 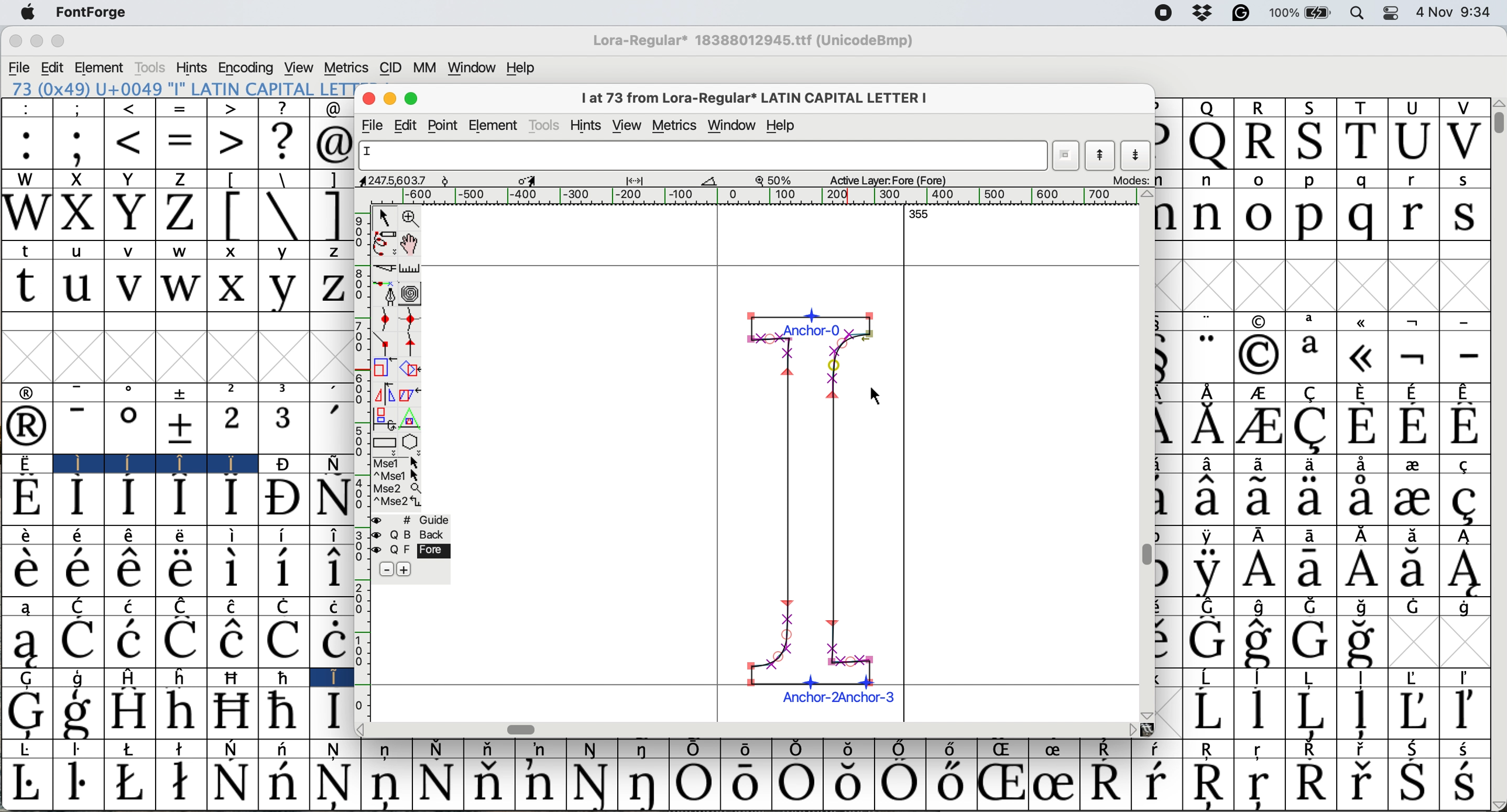 What do you see at coordinates (1312, 393) in the screenshot?
I see `` at bounding box center [1312, 393].